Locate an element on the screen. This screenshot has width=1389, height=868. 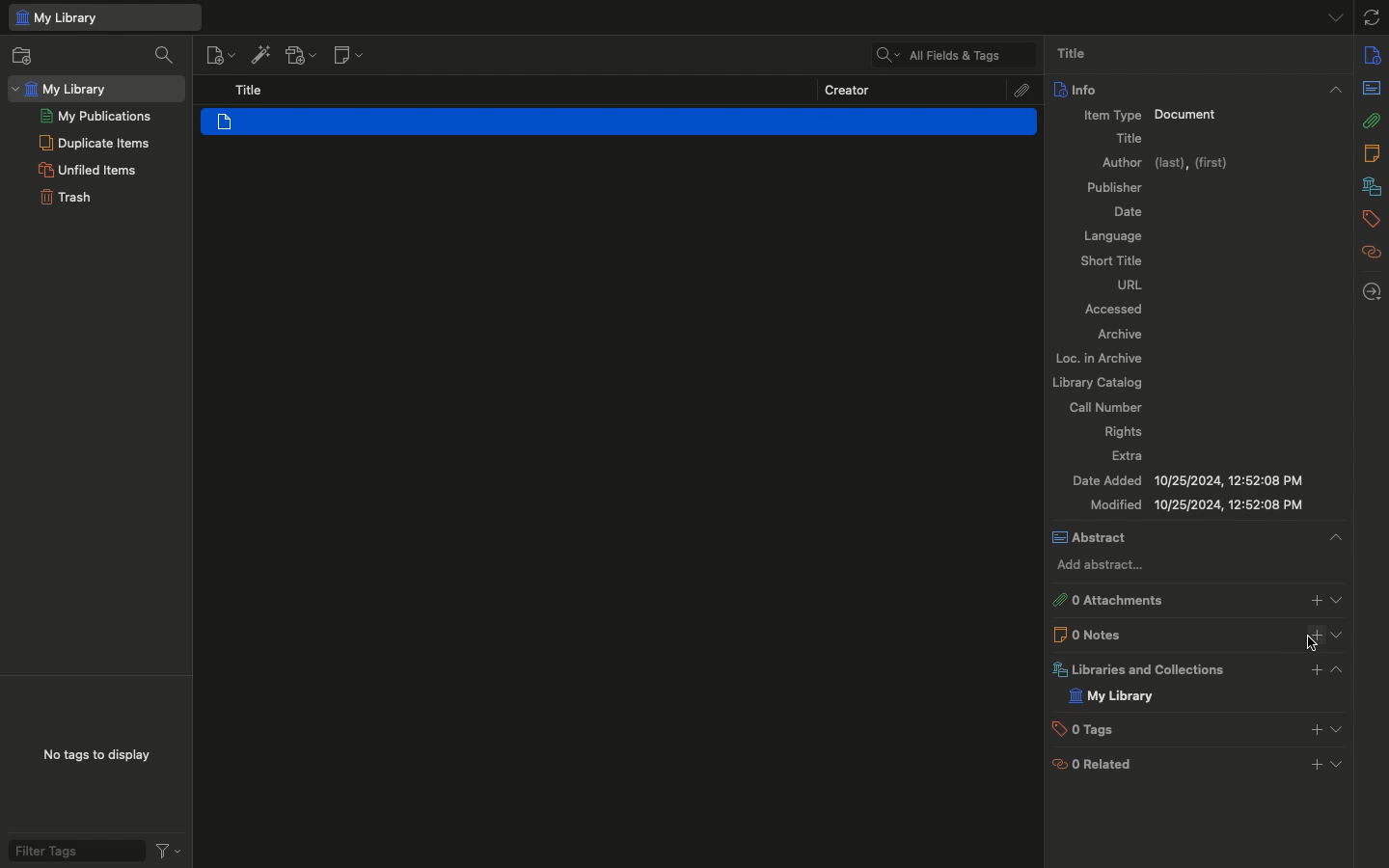
Title is located at coordinates (1084, 55).